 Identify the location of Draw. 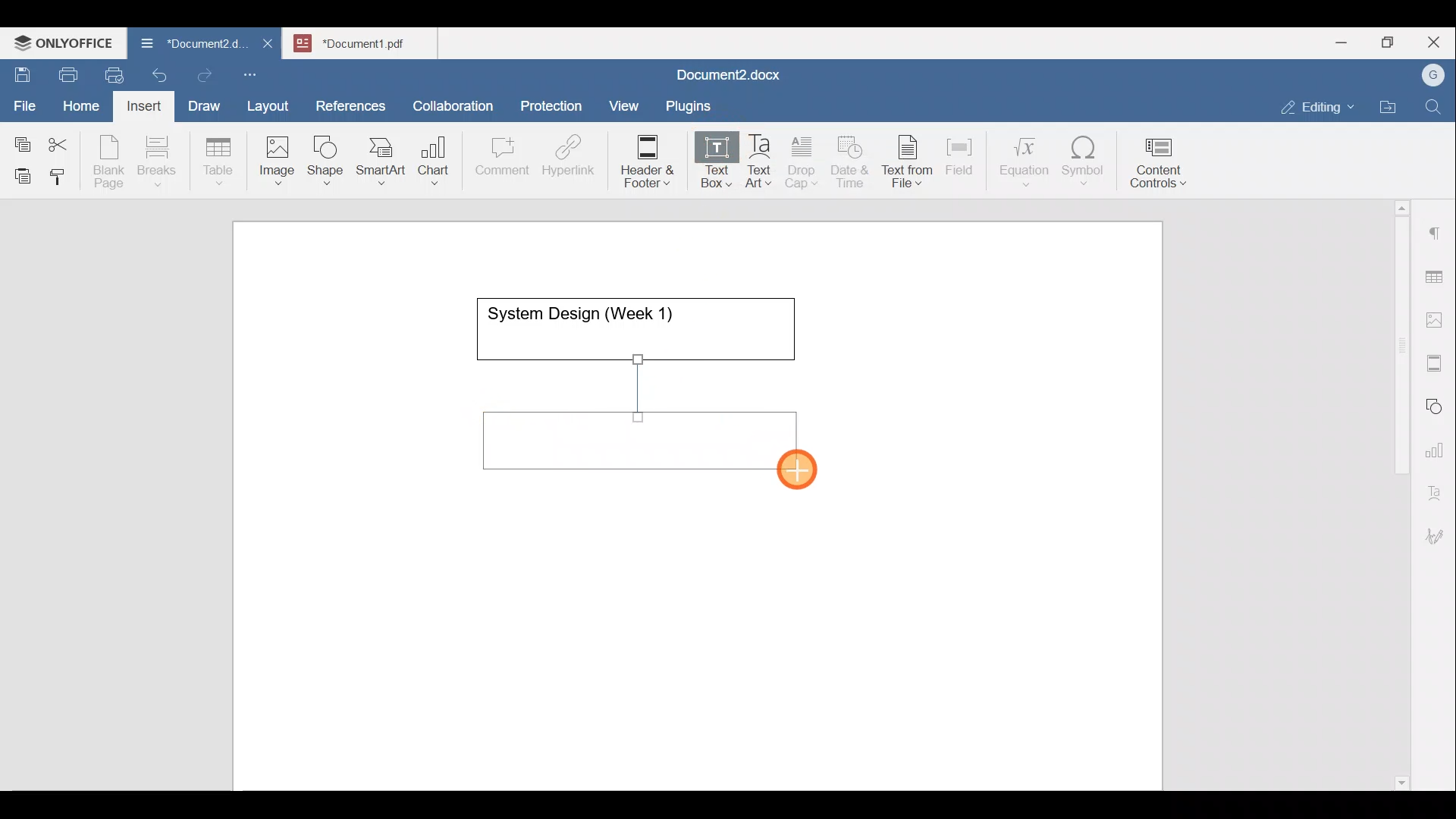
(202, 102).